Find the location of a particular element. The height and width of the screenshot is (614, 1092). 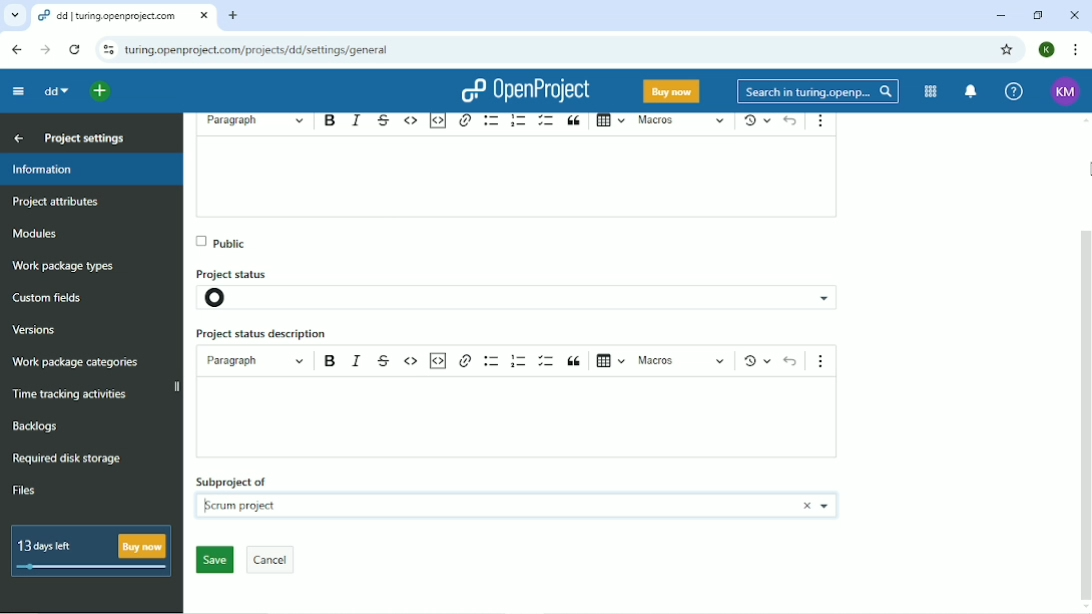

Insert code snippet is located at coordinates (438, 122).